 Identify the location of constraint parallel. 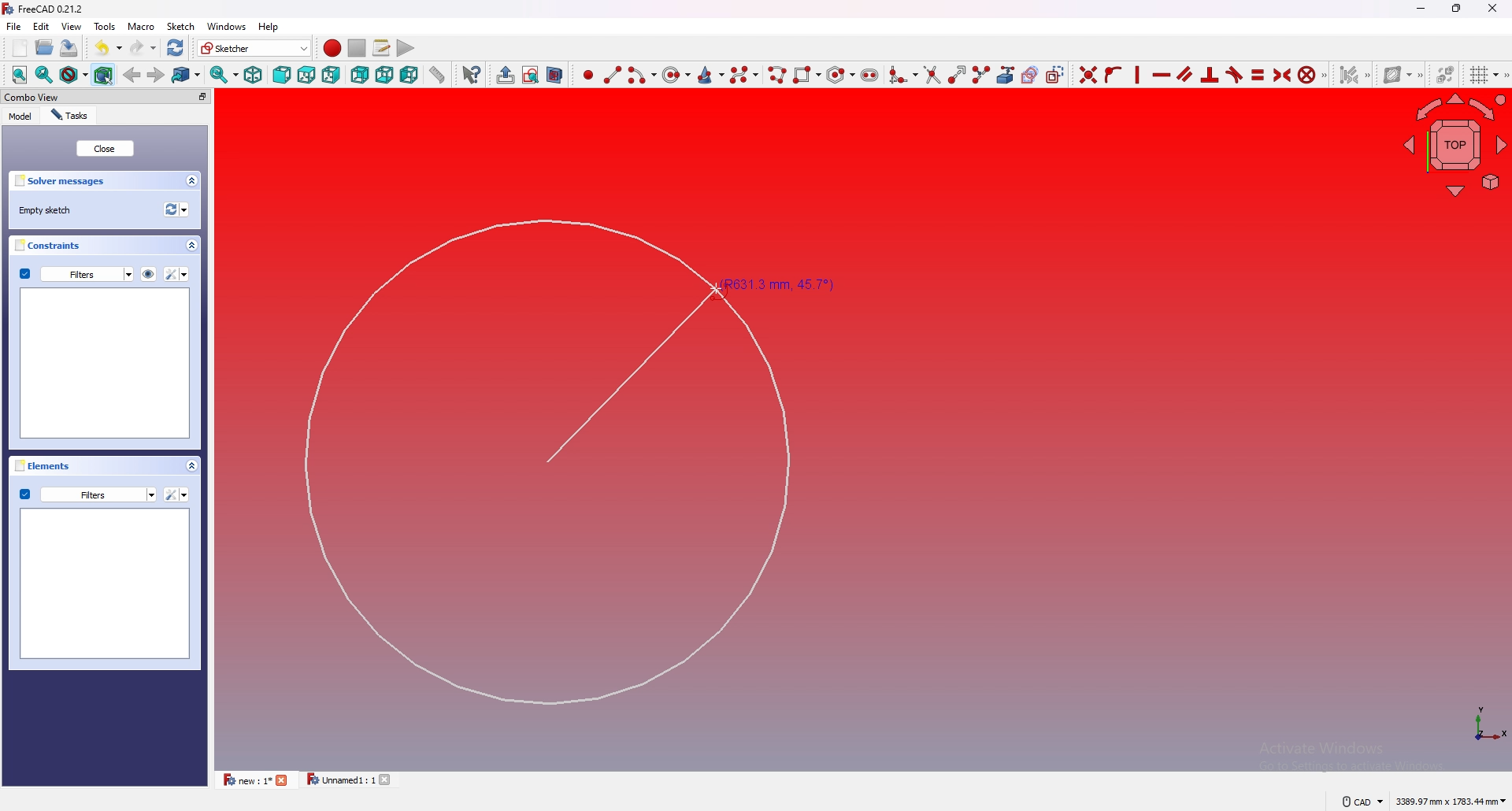
(1185, 73).